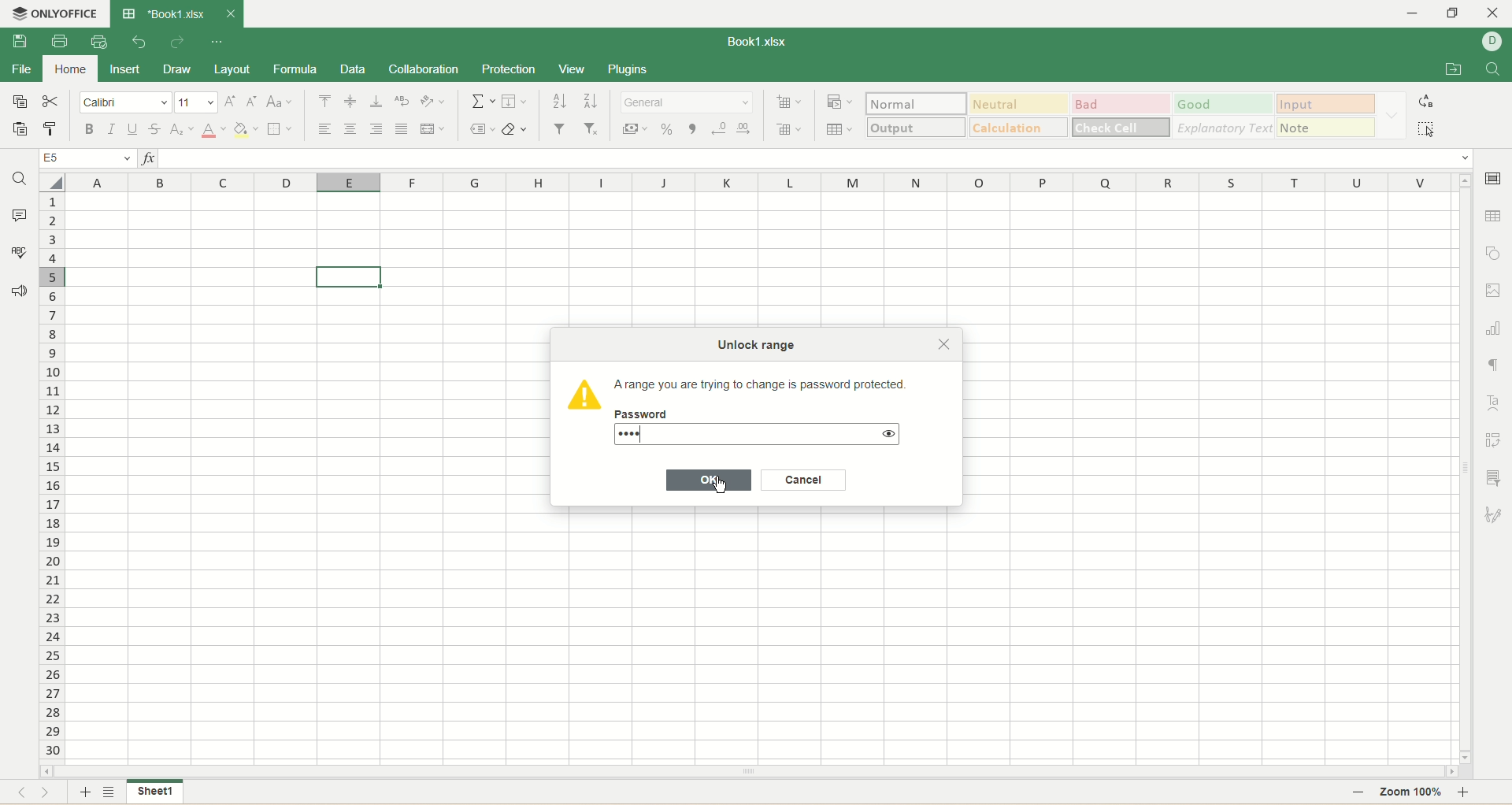  Describe the element at coordinates (560, 129) in the screenshot. I see `filter` at that location.